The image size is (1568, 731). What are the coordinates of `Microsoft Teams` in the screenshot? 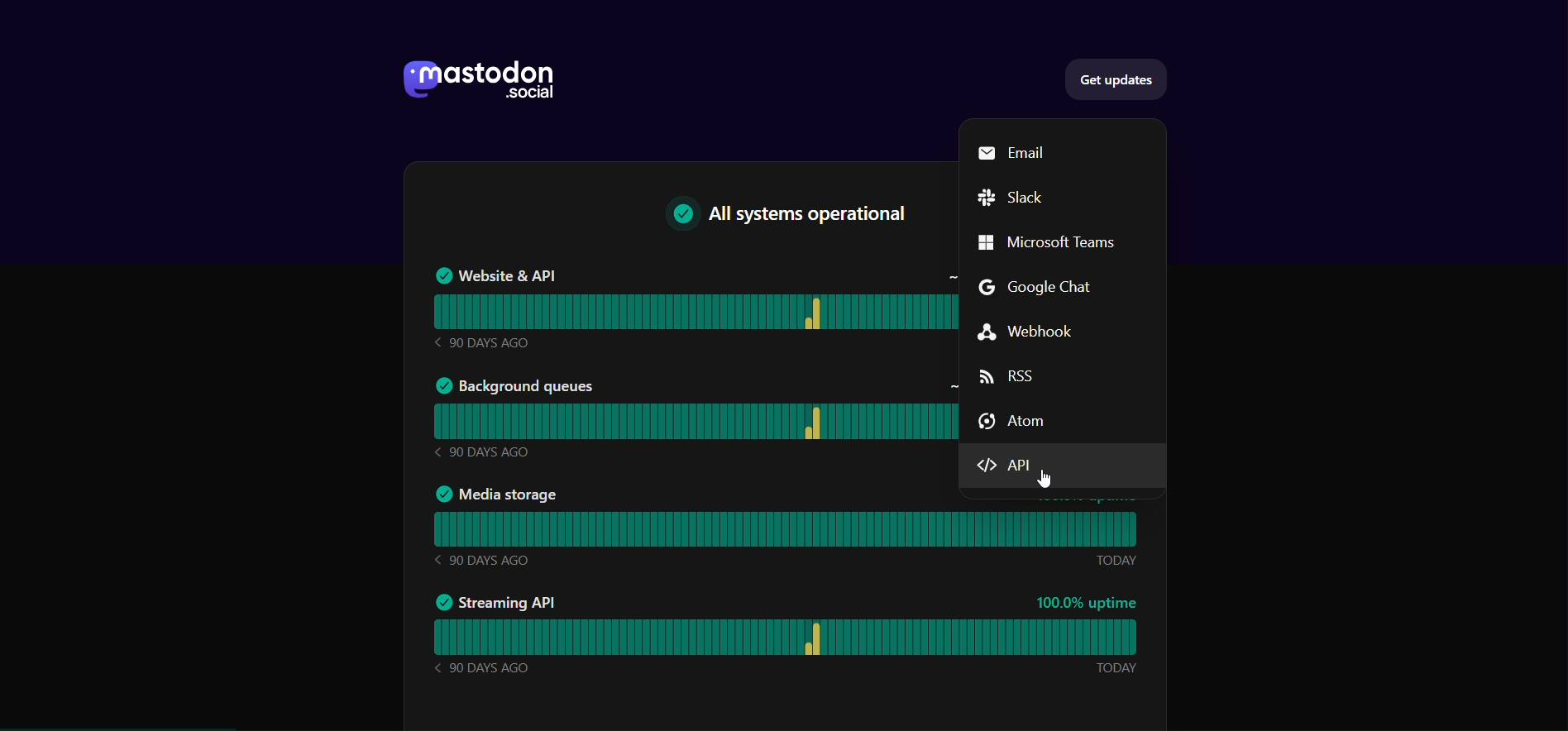 It's located at (1059, 243).